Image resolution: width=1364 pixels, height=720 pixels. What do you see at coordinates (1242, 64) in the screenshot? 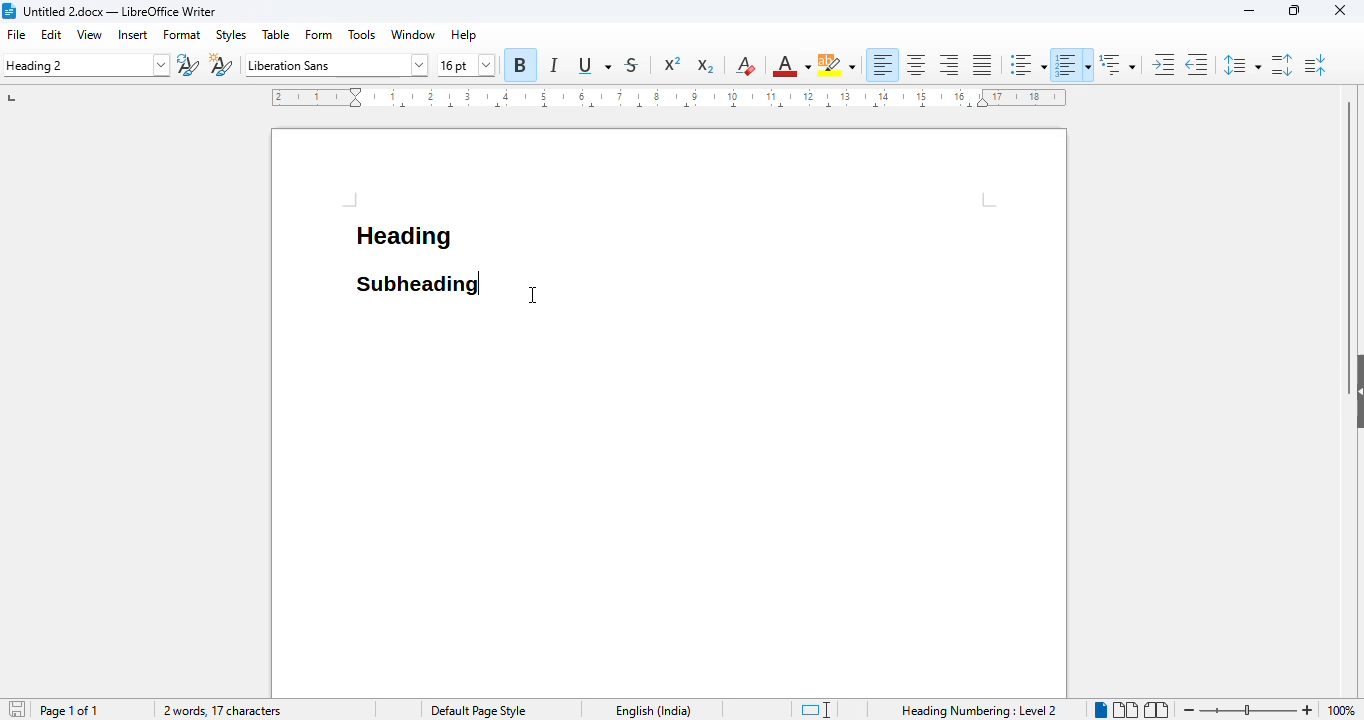
I see `set line spacing` at bounding box center [1242, 64].